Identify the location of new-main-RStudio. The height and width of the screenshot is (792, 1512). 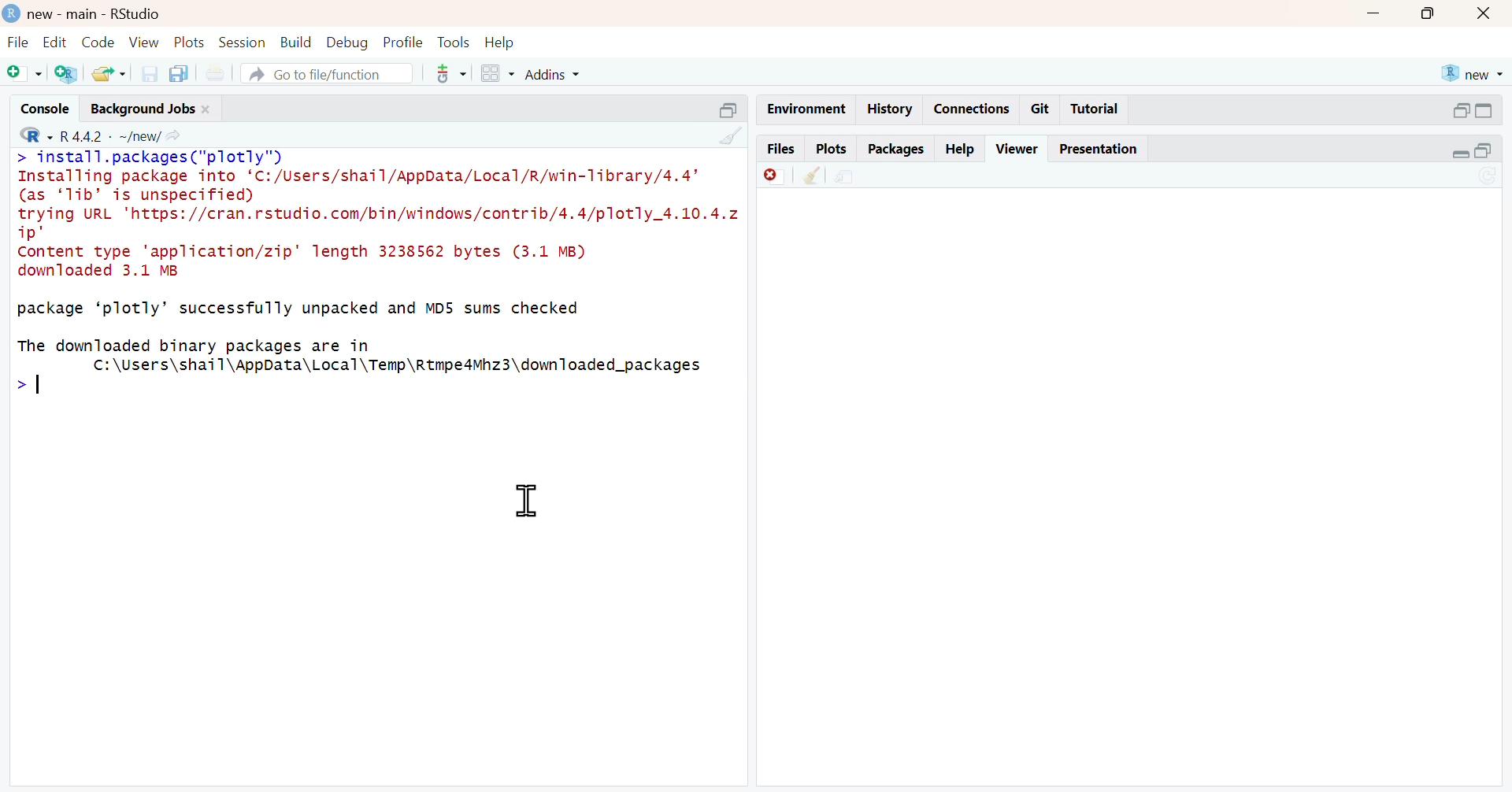
(97, 13).